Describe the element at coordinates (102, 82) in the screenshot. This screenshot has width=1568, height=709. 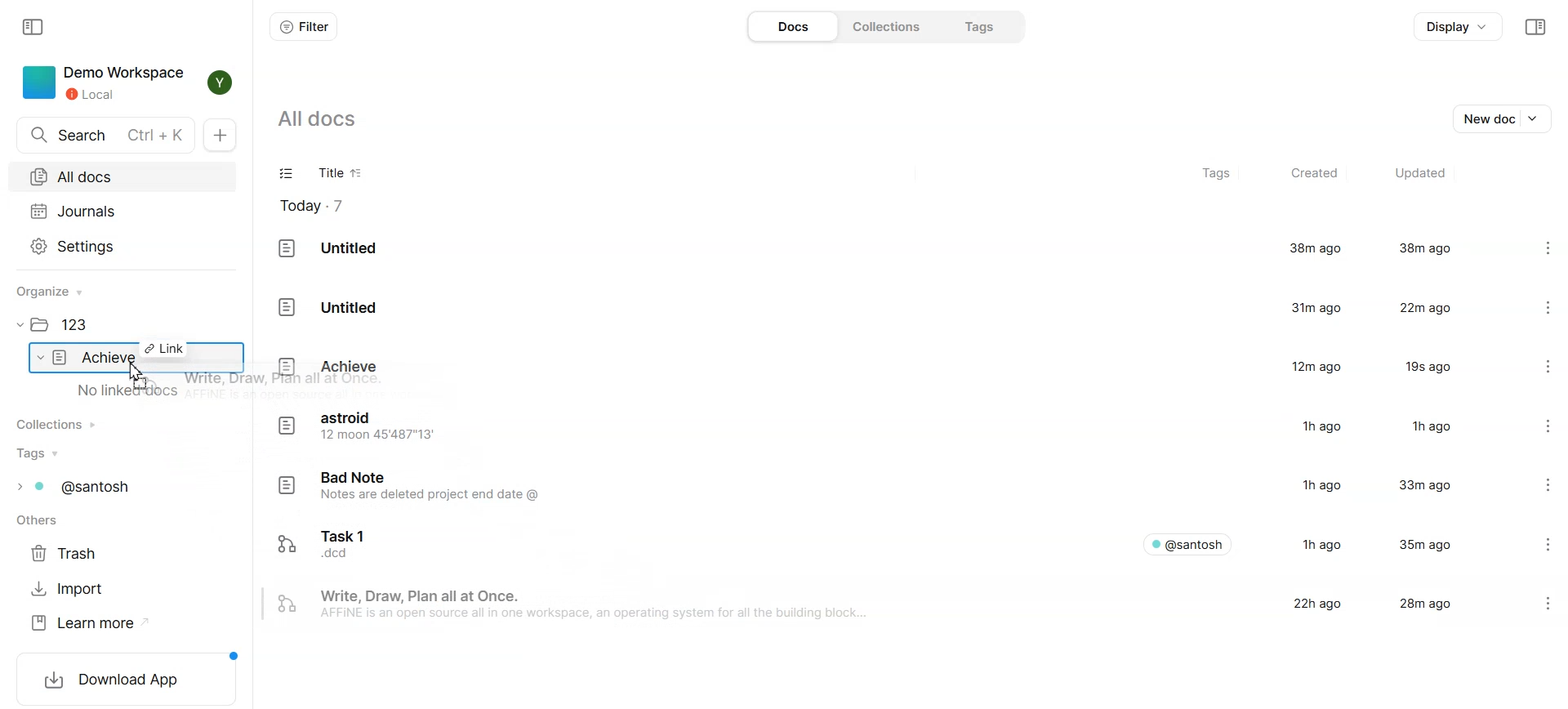
I see `Demo workspace` at that location.